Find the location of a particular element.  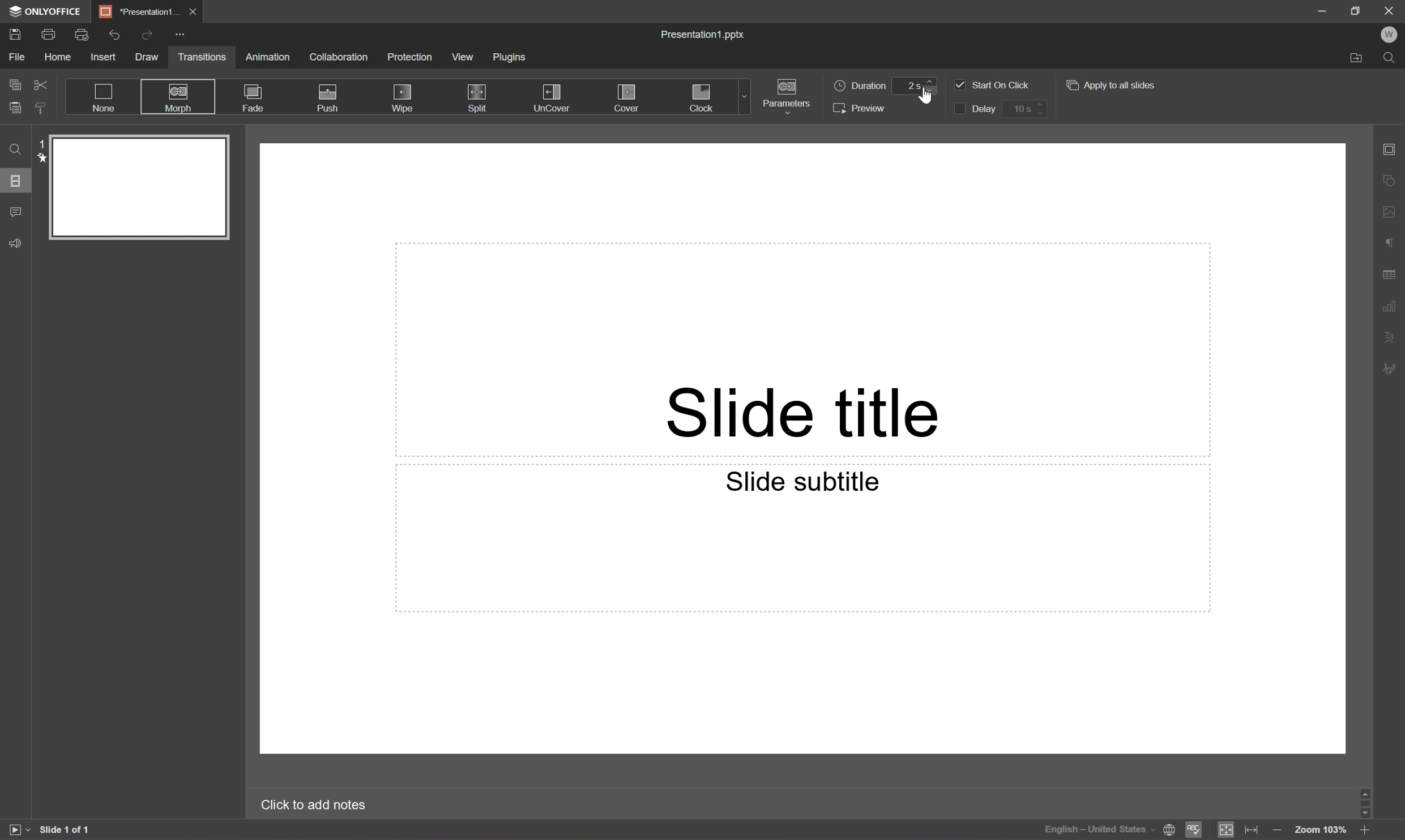

Find is located at coordinates (14, 151).